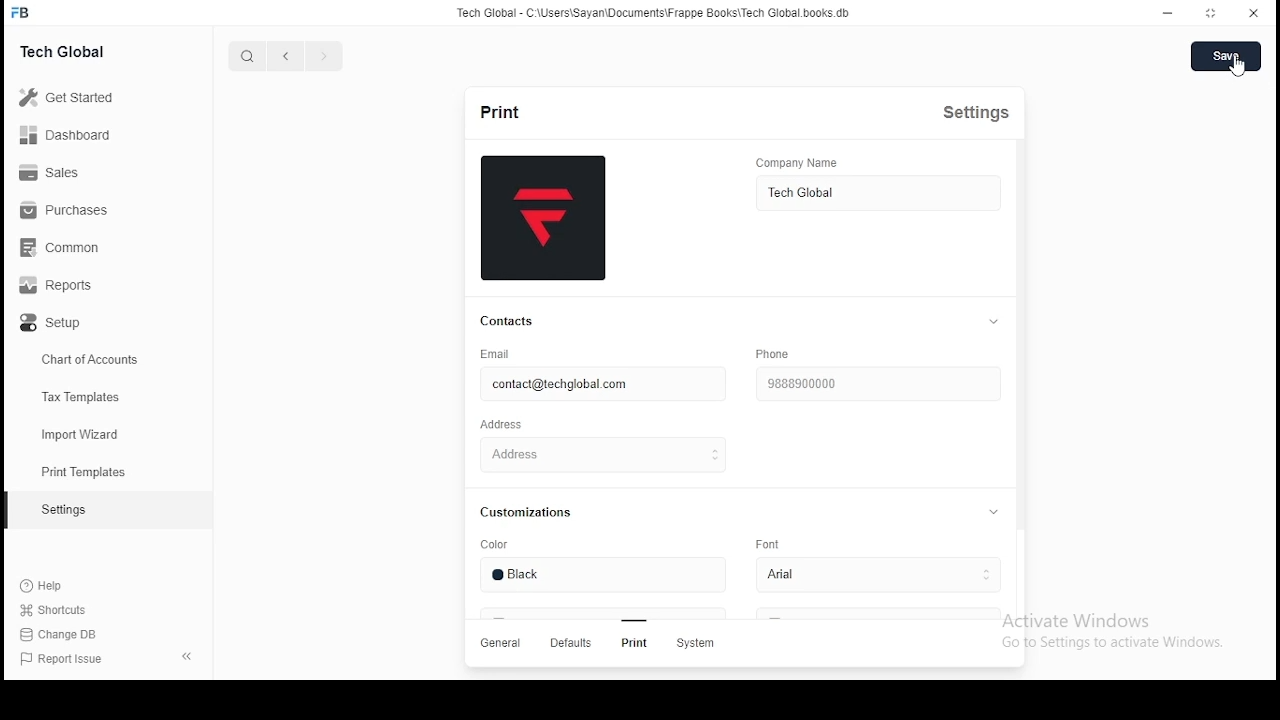 This screenshot has width=1280, height=720. What do you see at coordinates (780, 353) in the screenshot?
I see `Phone.` at bounding box center [780, 353].